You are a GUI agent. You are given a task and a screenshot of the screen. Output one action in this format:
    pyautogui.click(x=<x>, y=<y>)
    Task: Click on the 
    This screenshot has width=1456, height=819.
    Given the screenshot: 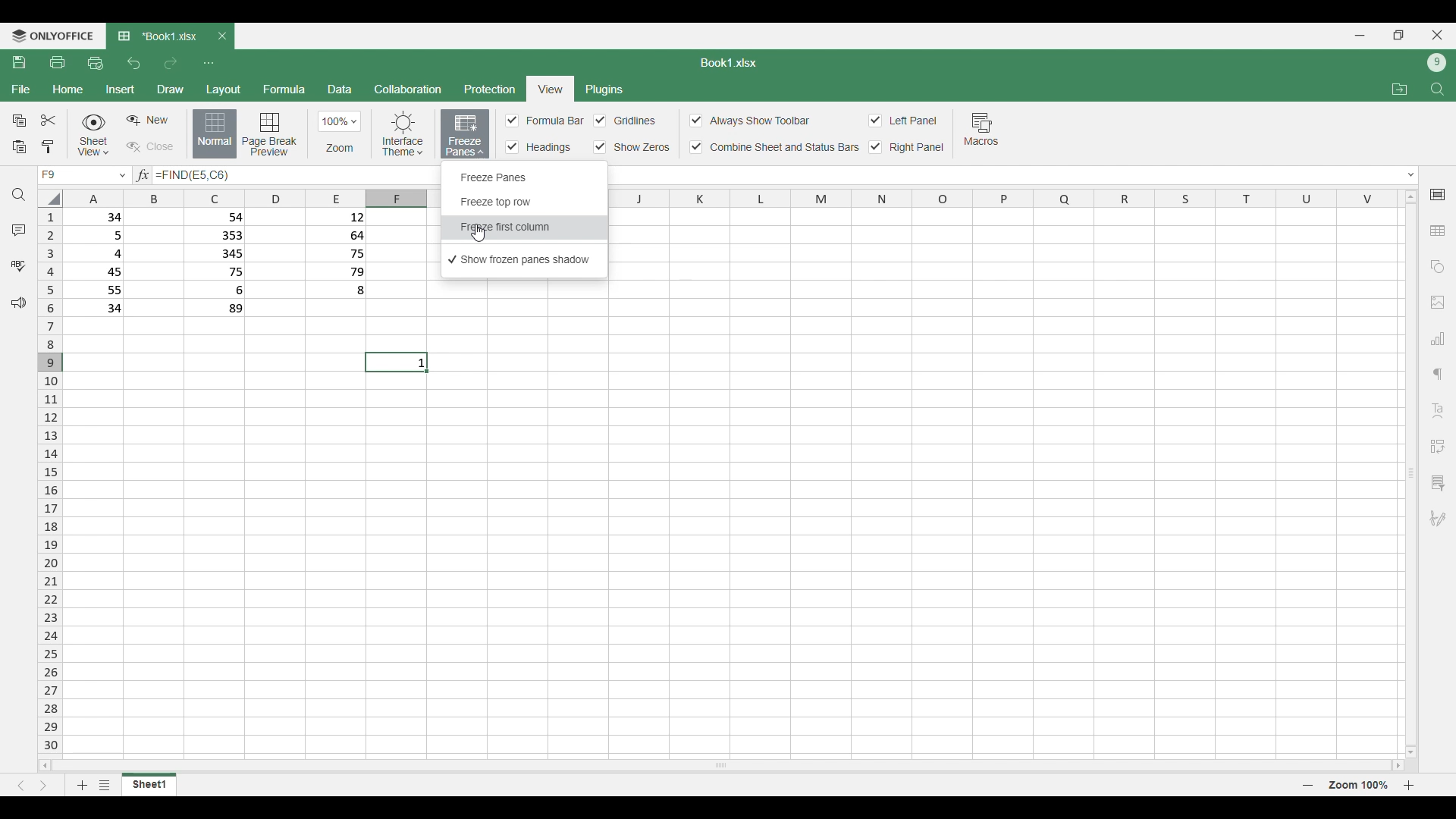 What is the action you would take?
    pyautogui.click(x=544, y=121)
    